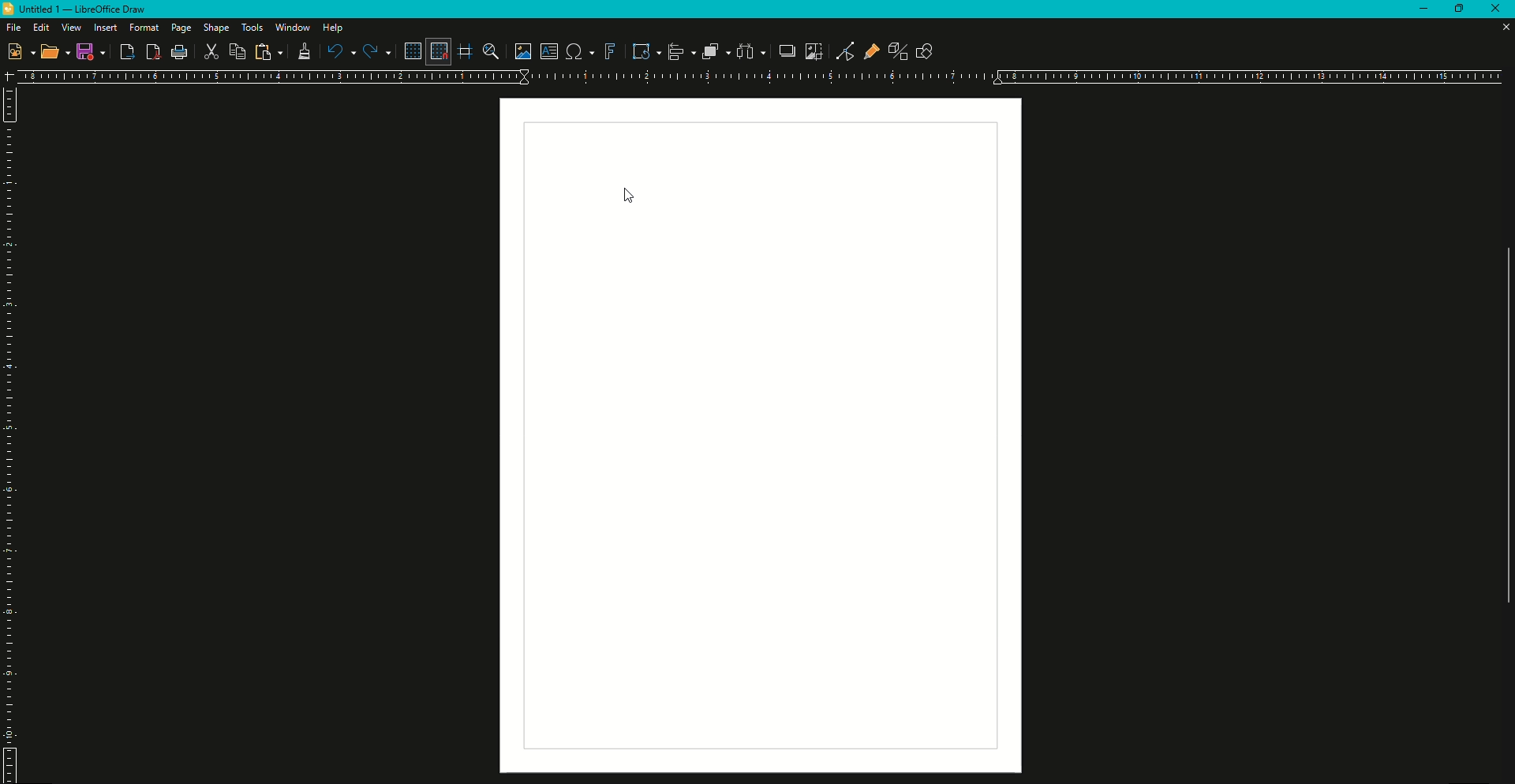 Image resolution: width=1515 pixels, height=784 pixels. Describe the element at coordinates (141, 28) in the screenshot. I see `Format` at that location.